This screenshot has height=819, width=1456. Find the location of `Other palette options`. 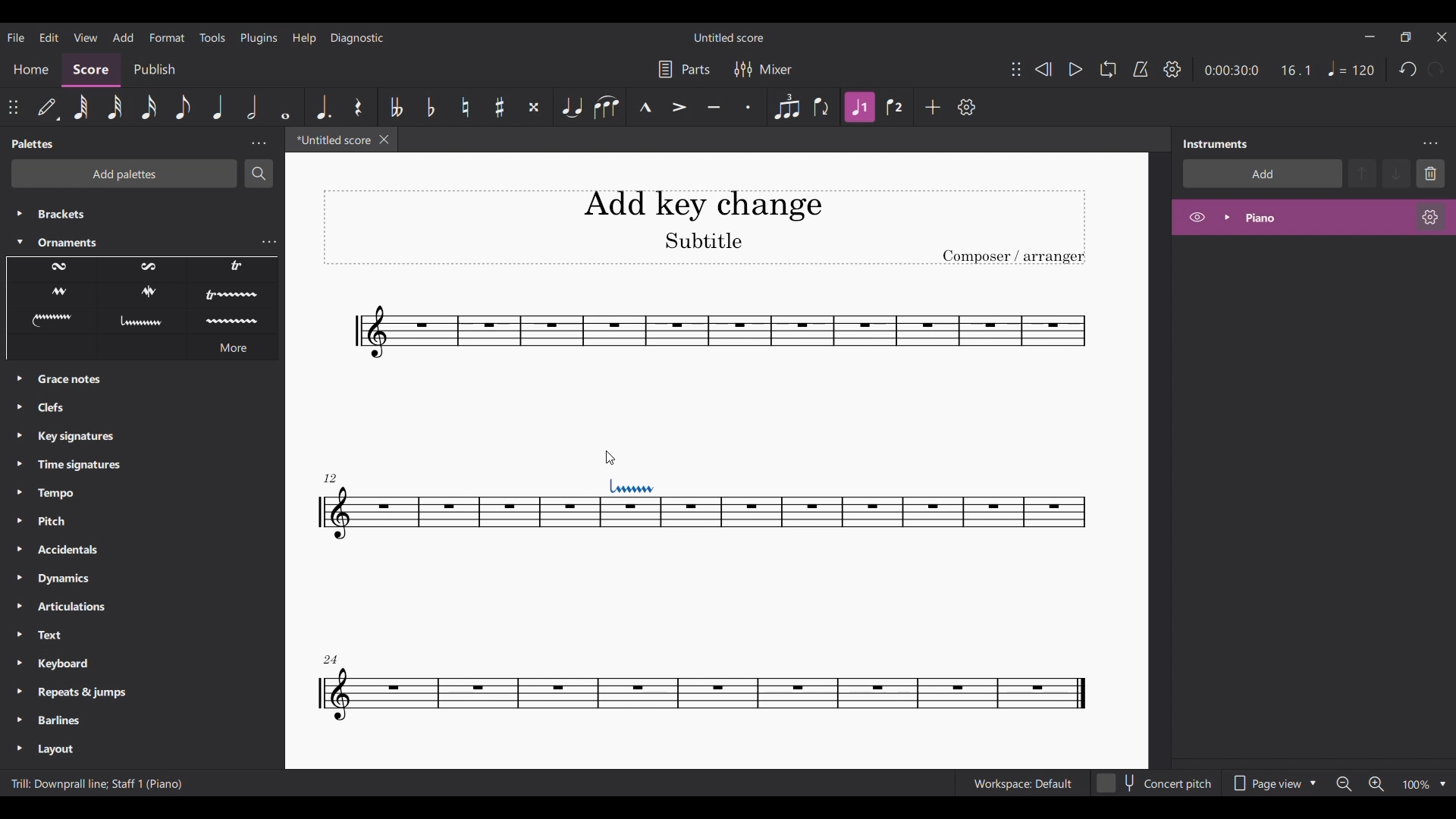

Other palette options is located at coordinates (144, 575).